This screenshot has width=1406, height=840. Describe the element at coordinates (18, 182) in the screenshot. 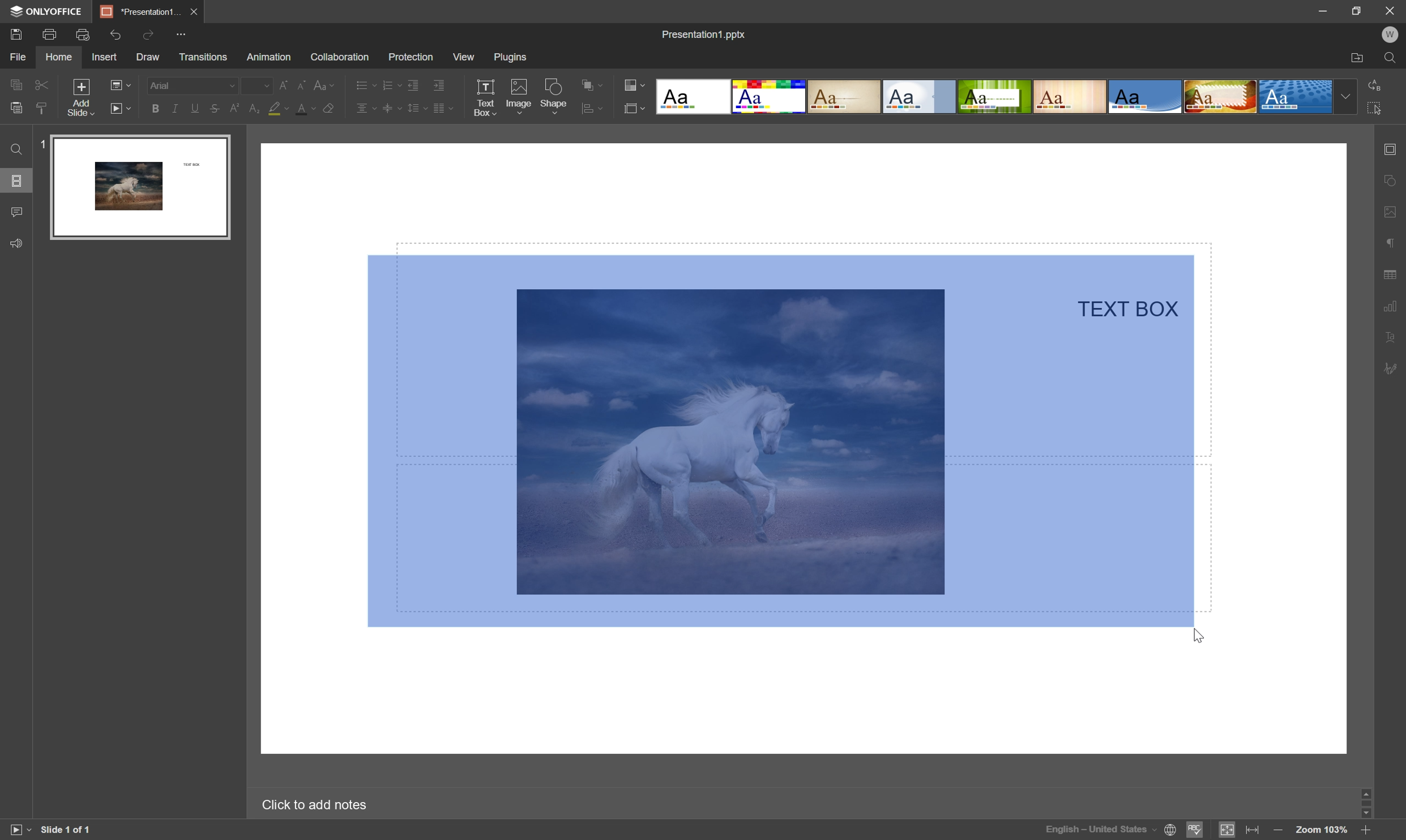

I see `slides` at that location.